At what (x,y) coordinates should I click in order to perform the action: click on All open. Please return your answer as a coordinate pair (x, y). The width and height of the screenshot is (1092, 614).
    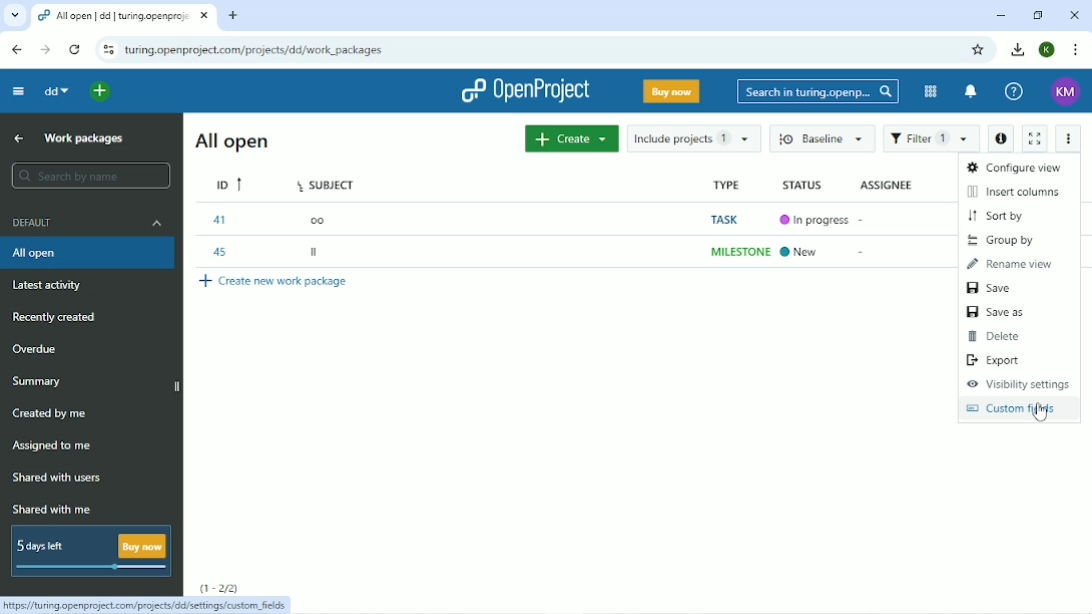
    Looking at the image, I should click on (88, 253).